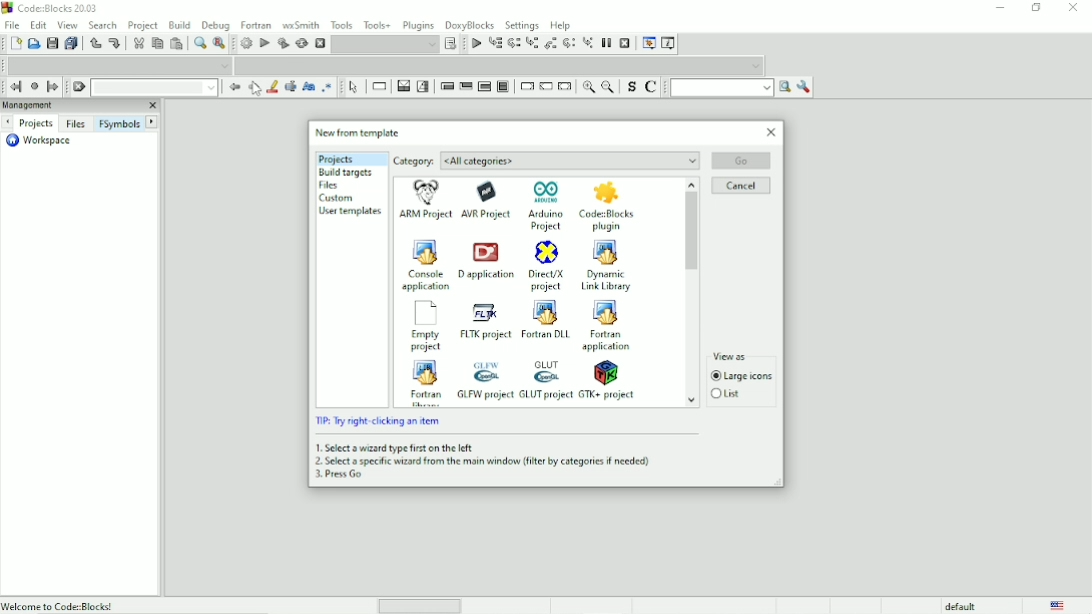 The image size is (1092, 614). What do you see at coordinates (53, 86) in the screenshot?
I see `Jump forward` at bounding box center [53, 86].